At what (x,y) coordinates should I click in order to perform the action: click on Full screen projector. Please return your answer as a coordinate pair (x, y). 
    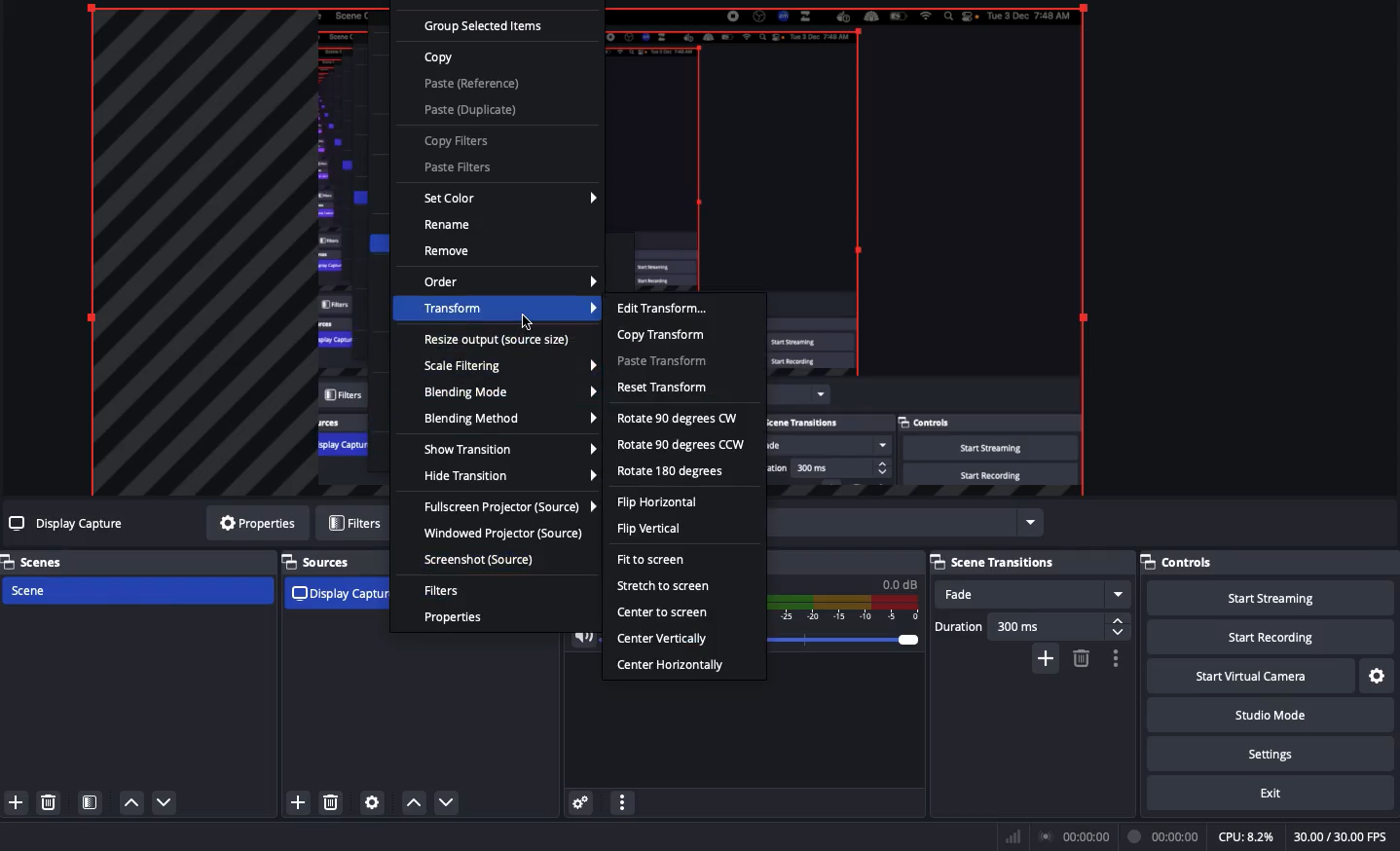
    Looking at the image, I should click on (510, 506).